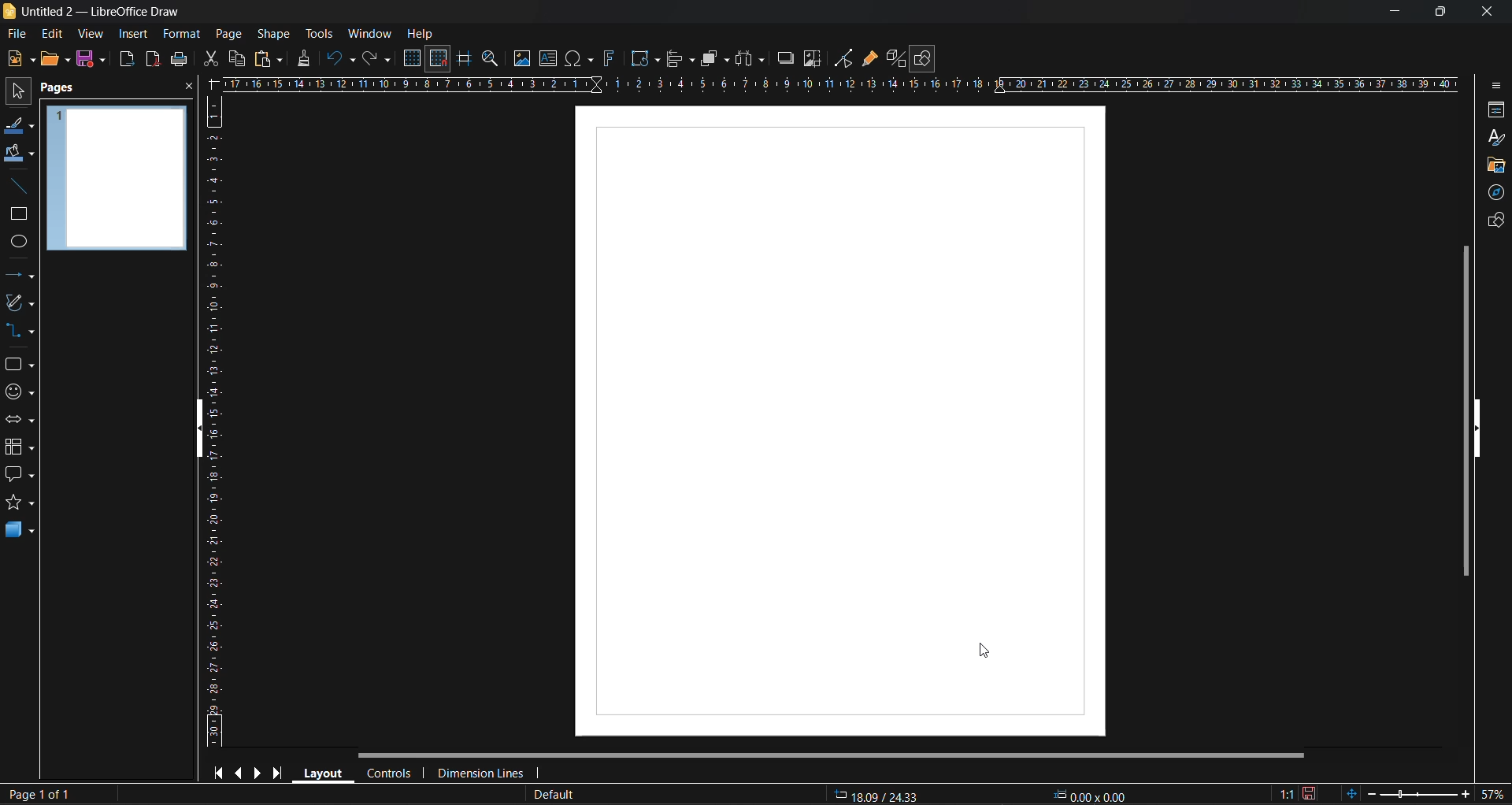 This screenshot has height=805, width=1512. I want to click on shape, so click(273, 33).